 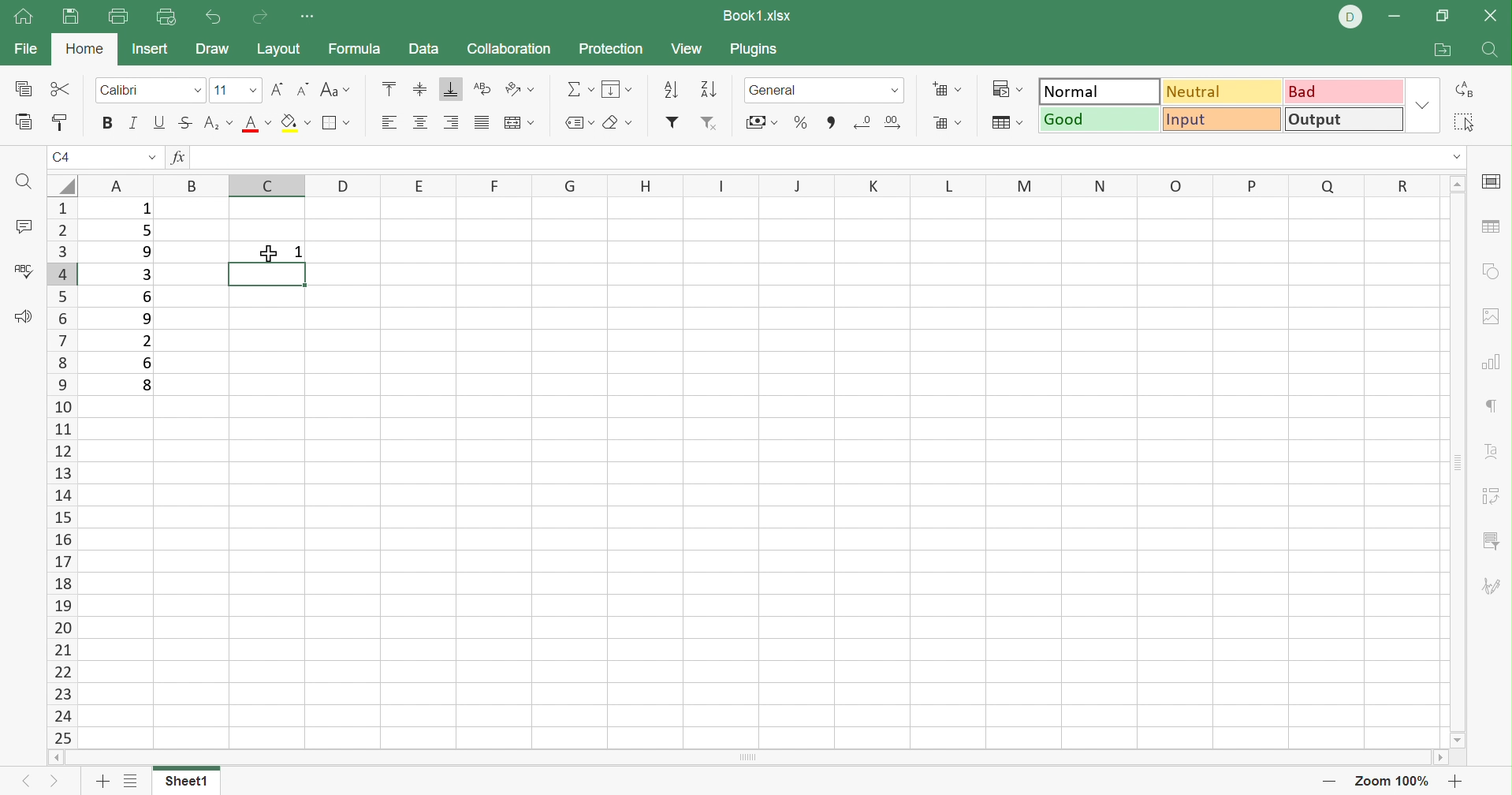 I want to click on =MIN(A1:A9), so click(x=266, y=274).